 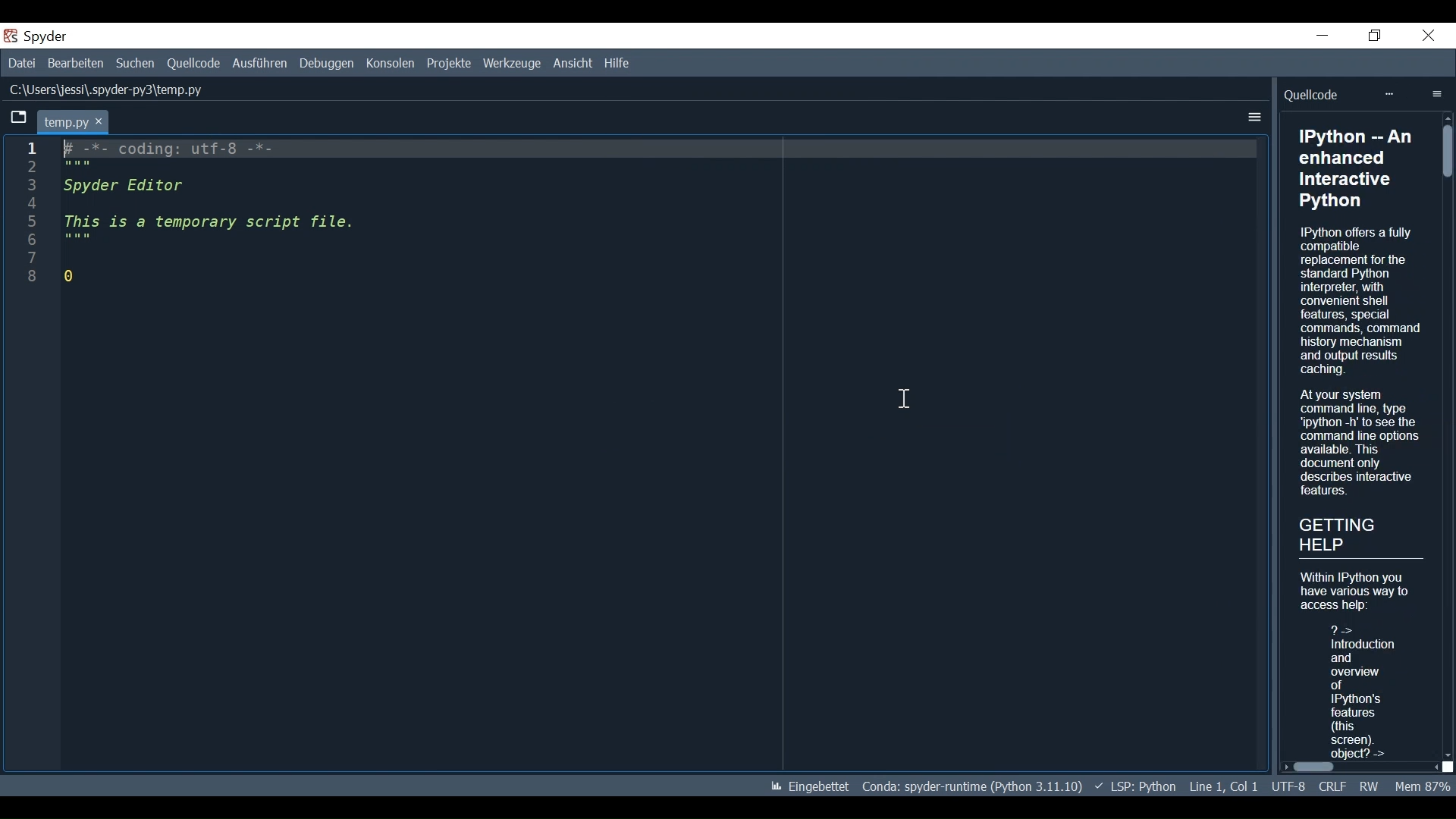 I want to click on Options, so click(x=1439, y=94).